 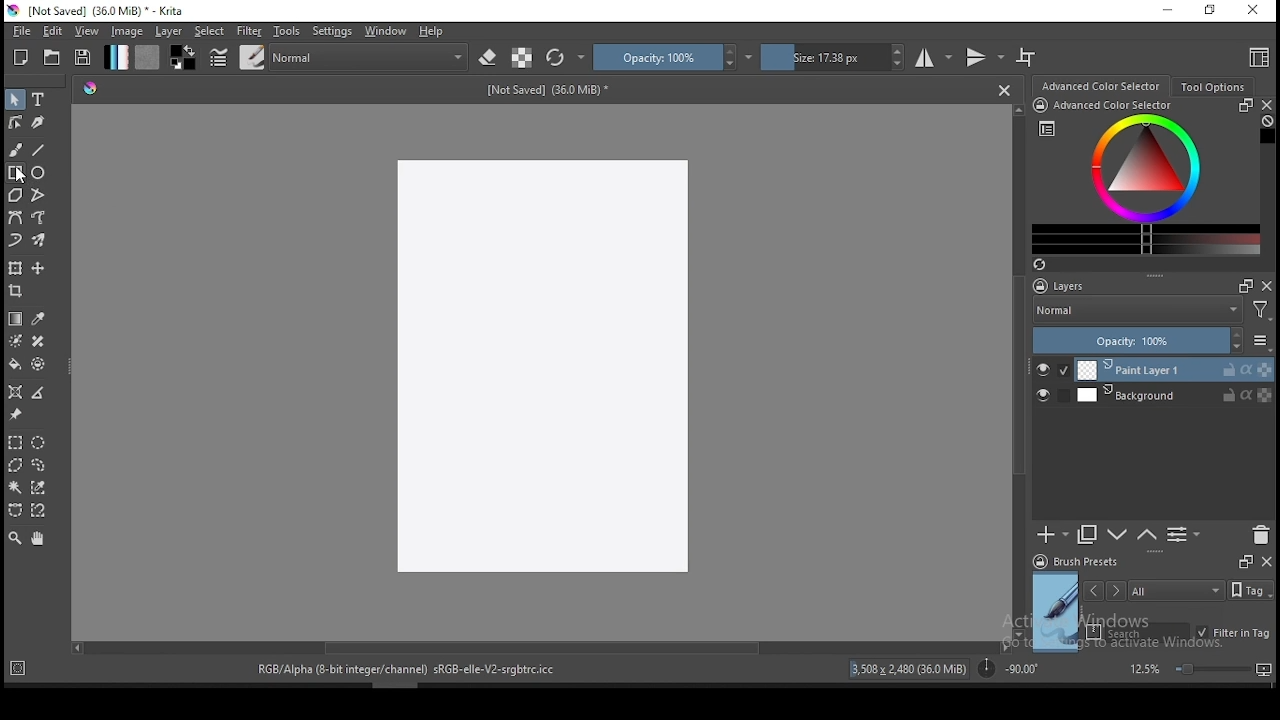 What do you see at coordinates (1138, 632) in the screenshot?
I see `search` at bounding box center [1138, 632].